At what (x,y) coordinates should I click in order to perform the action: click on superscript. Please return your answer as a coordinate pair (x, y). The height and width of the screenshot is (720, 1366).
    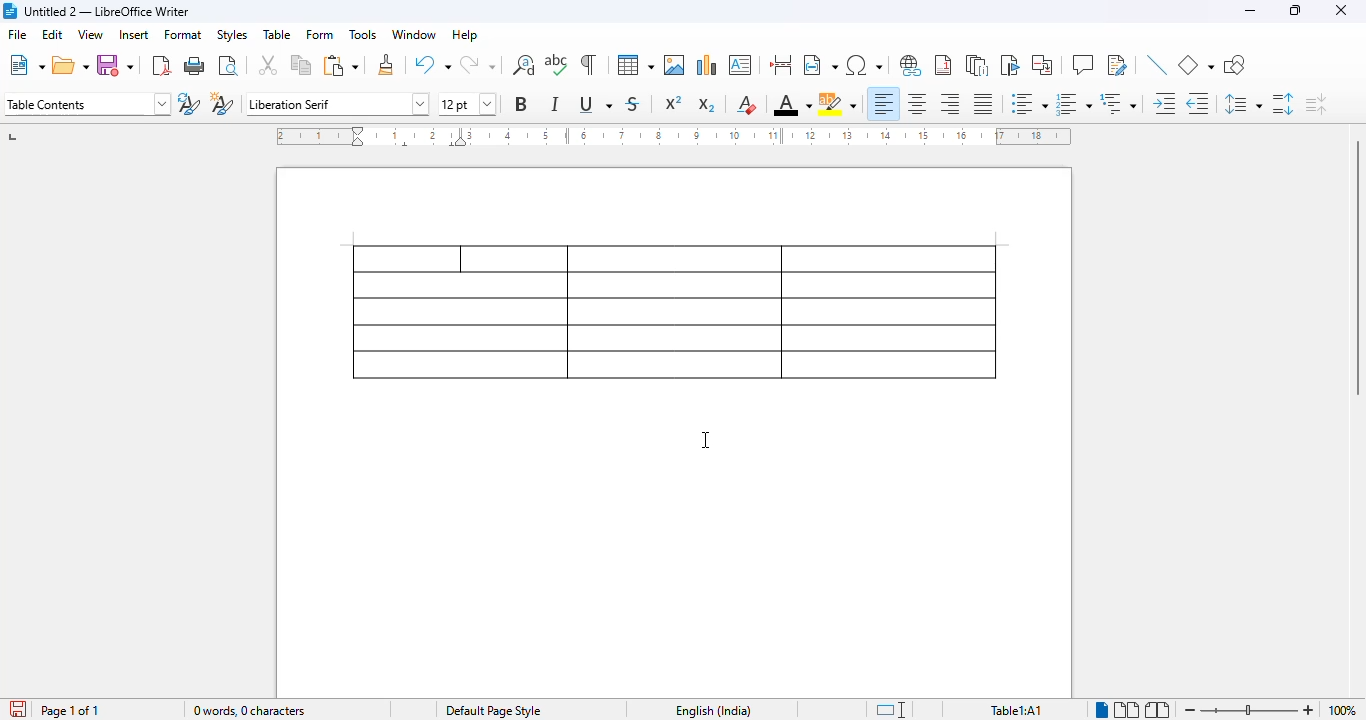
    Looking at the image, I should click on (673, 103).